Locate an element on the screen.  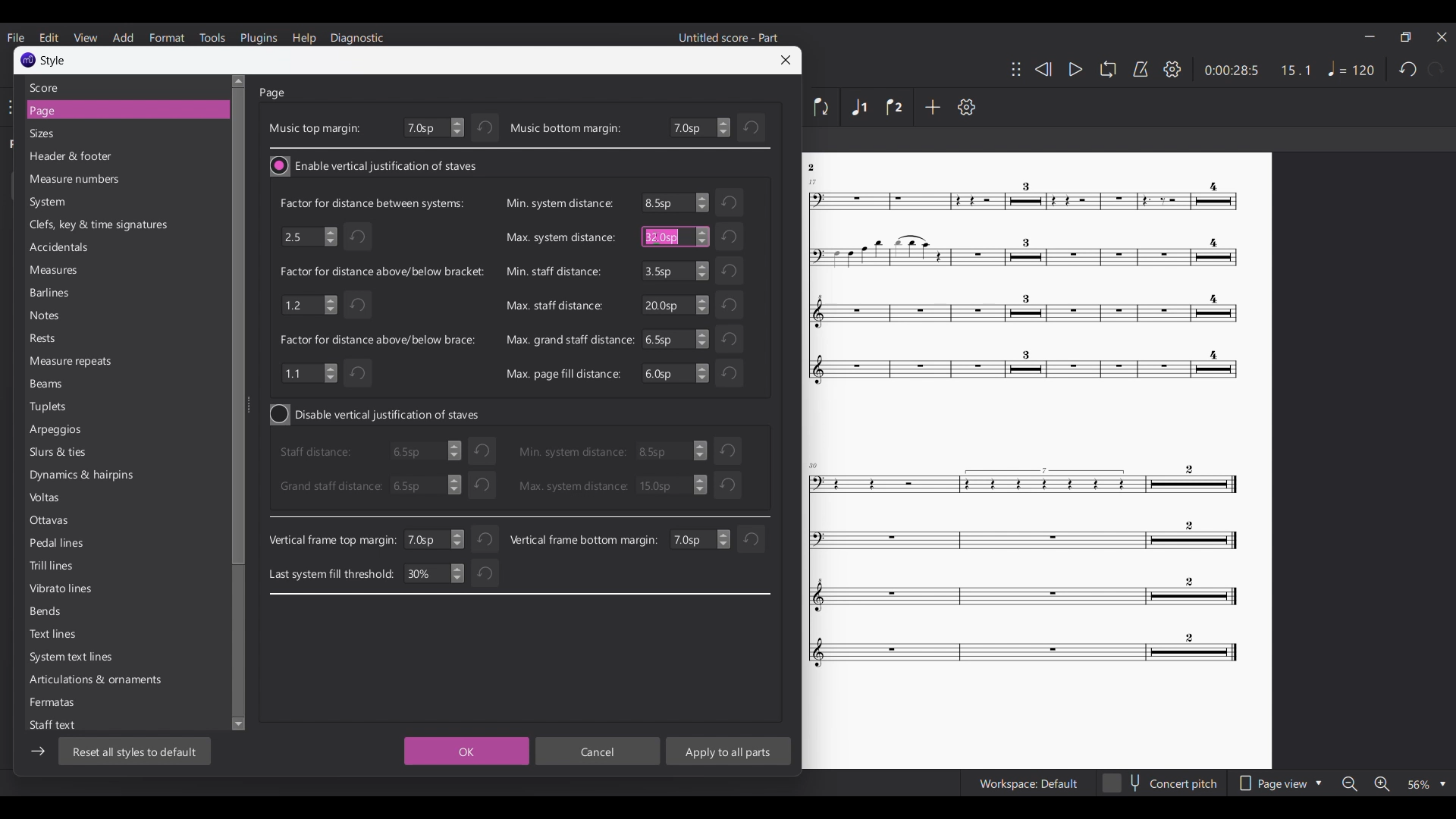
Plugins menu is located at coordinates (259, 38).